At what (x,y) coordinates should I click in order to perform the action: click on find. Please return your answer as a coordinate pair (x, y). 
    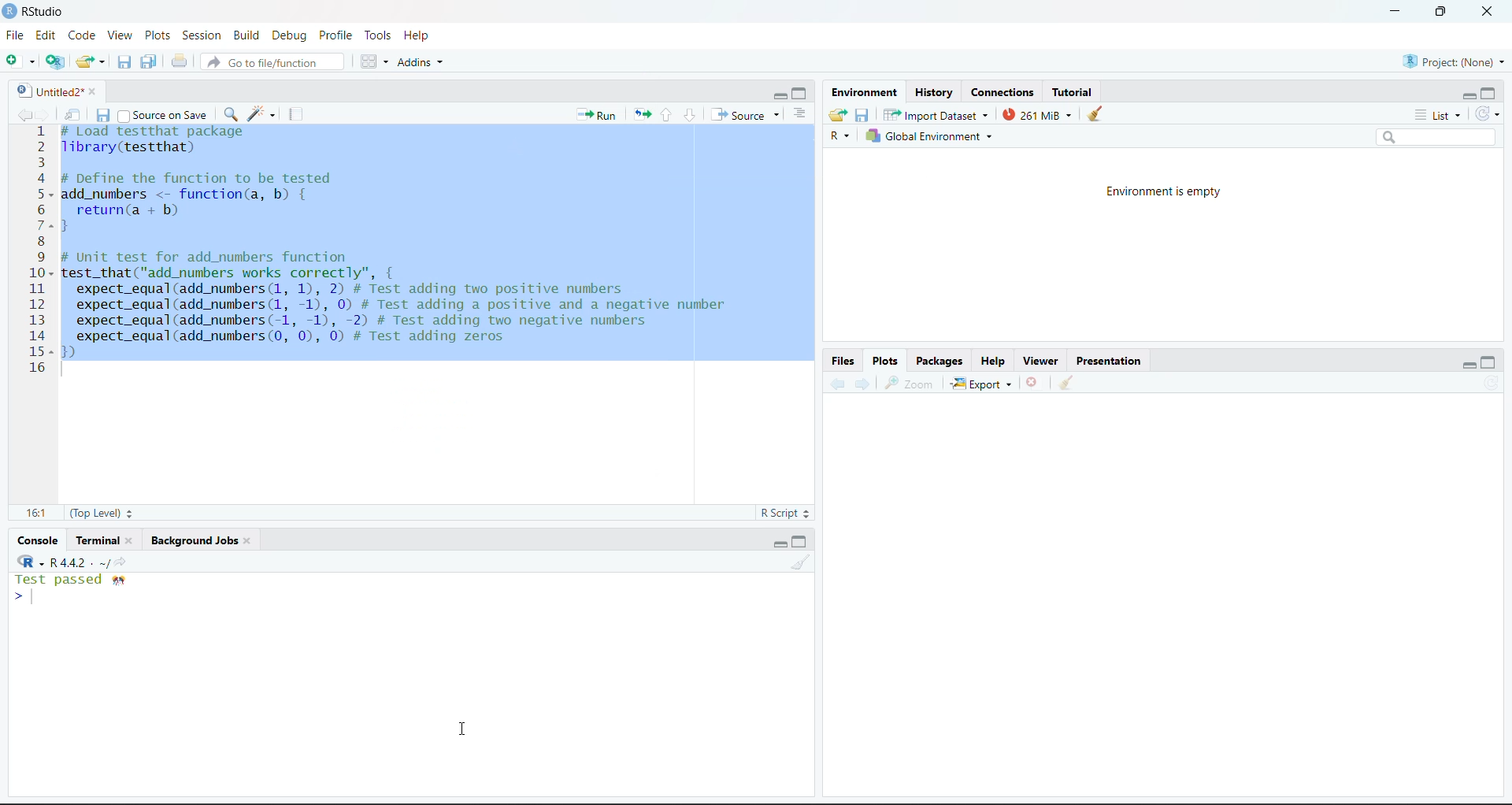
    Looking at the image, I should click on (230, 113).